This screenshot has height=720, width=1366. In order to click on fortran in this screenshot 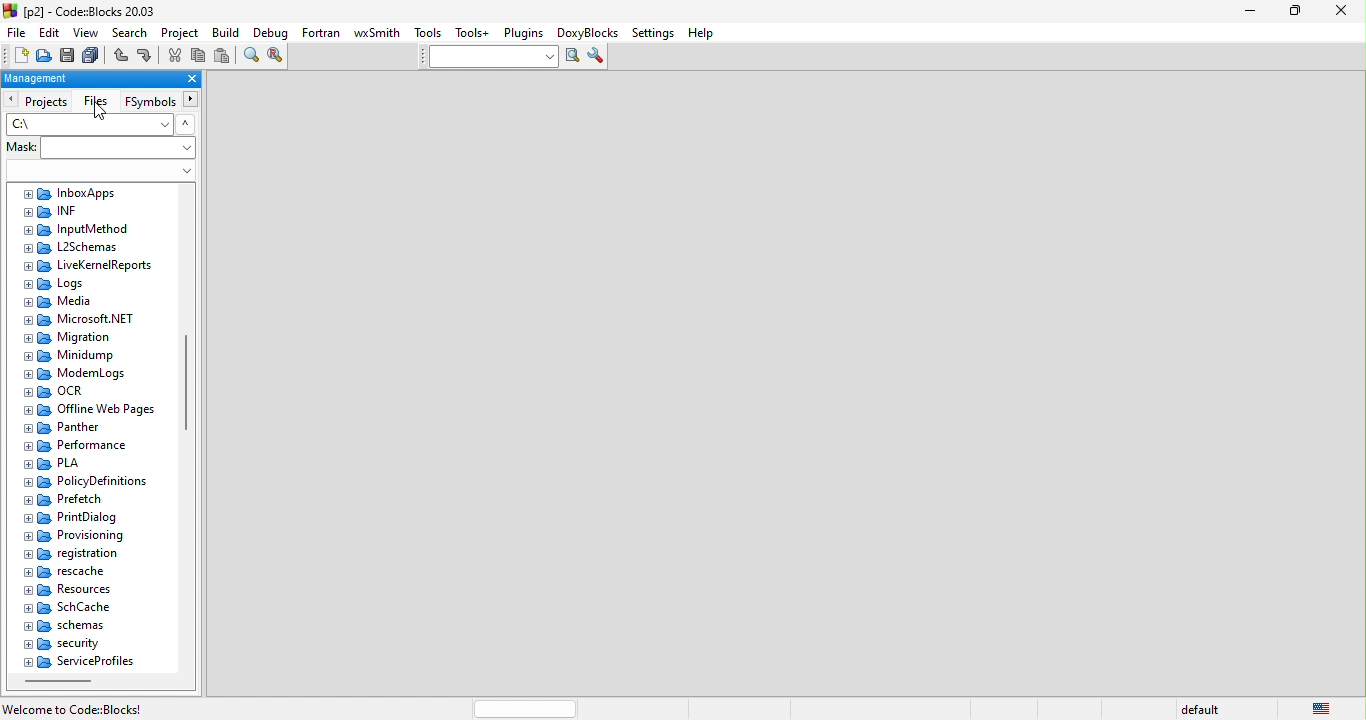, I will do `click(321, 33)`.